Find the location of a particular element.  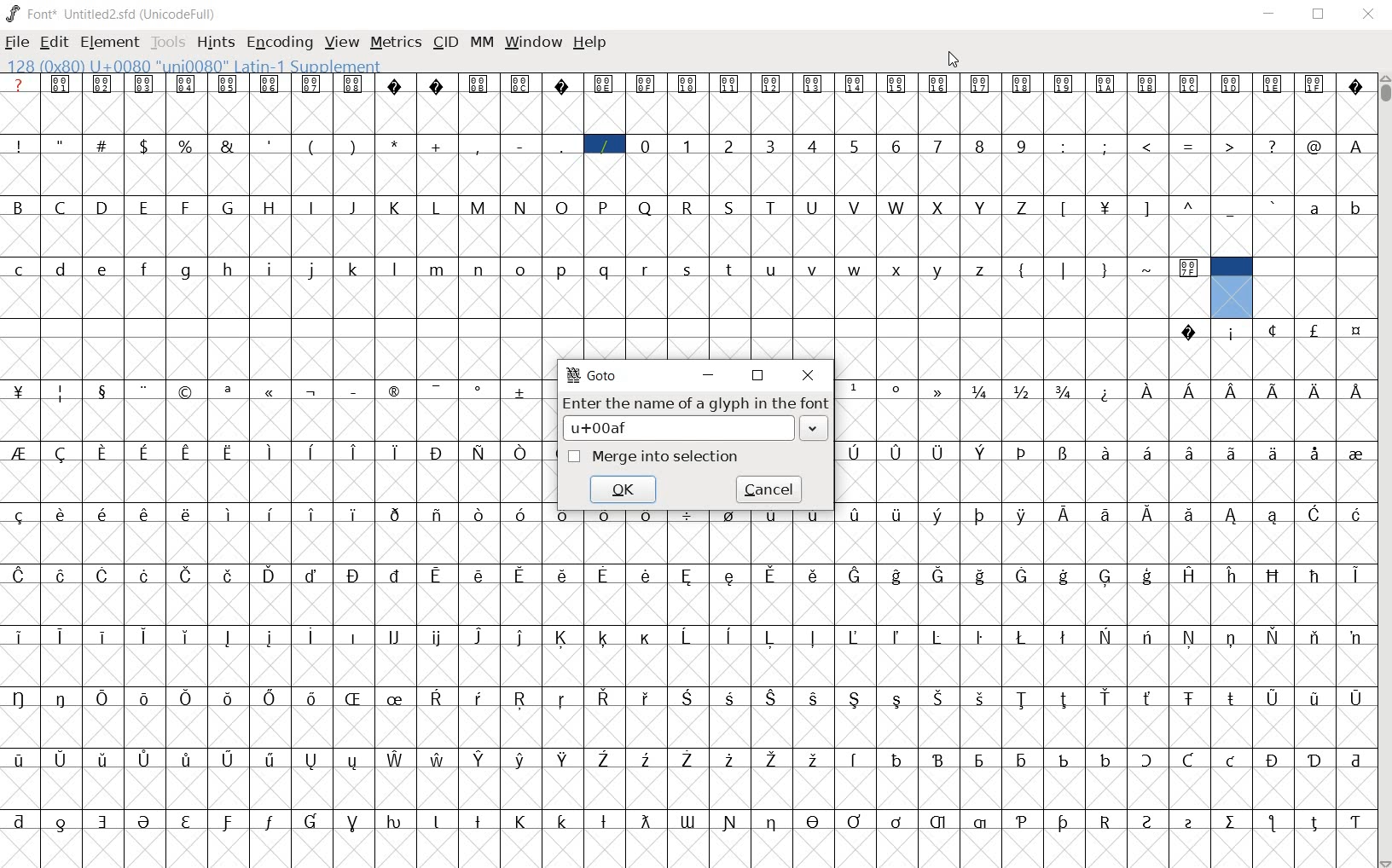

Symbol is located at coordinates (855, 454).